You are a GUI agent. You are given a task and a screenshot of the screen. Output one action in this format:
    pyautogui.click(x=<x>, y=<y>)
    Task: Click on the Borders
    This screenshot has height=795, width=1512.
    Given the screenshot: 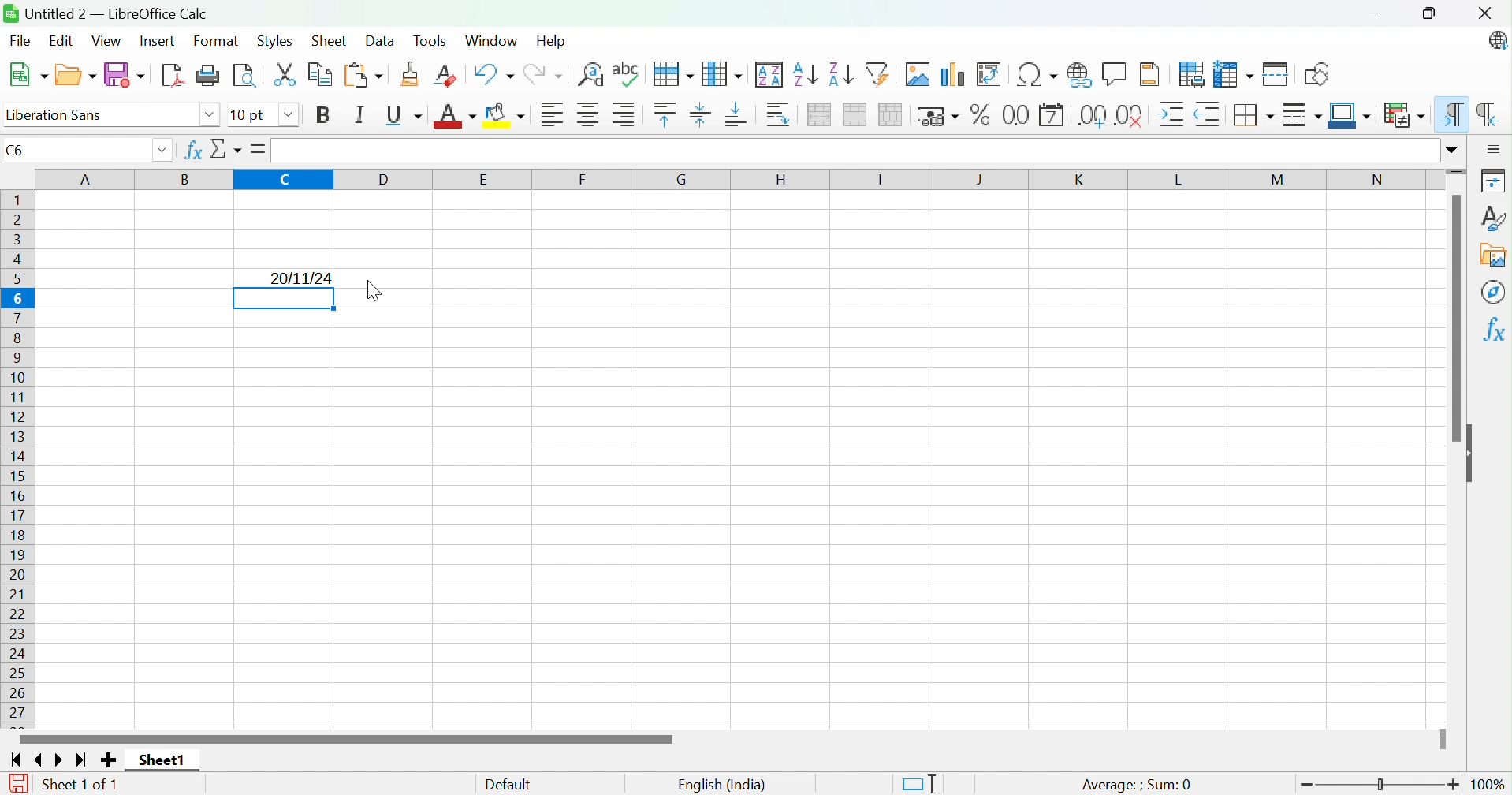 What is the action you would take?
    pyautogui.click(x=1257, y=114)
    